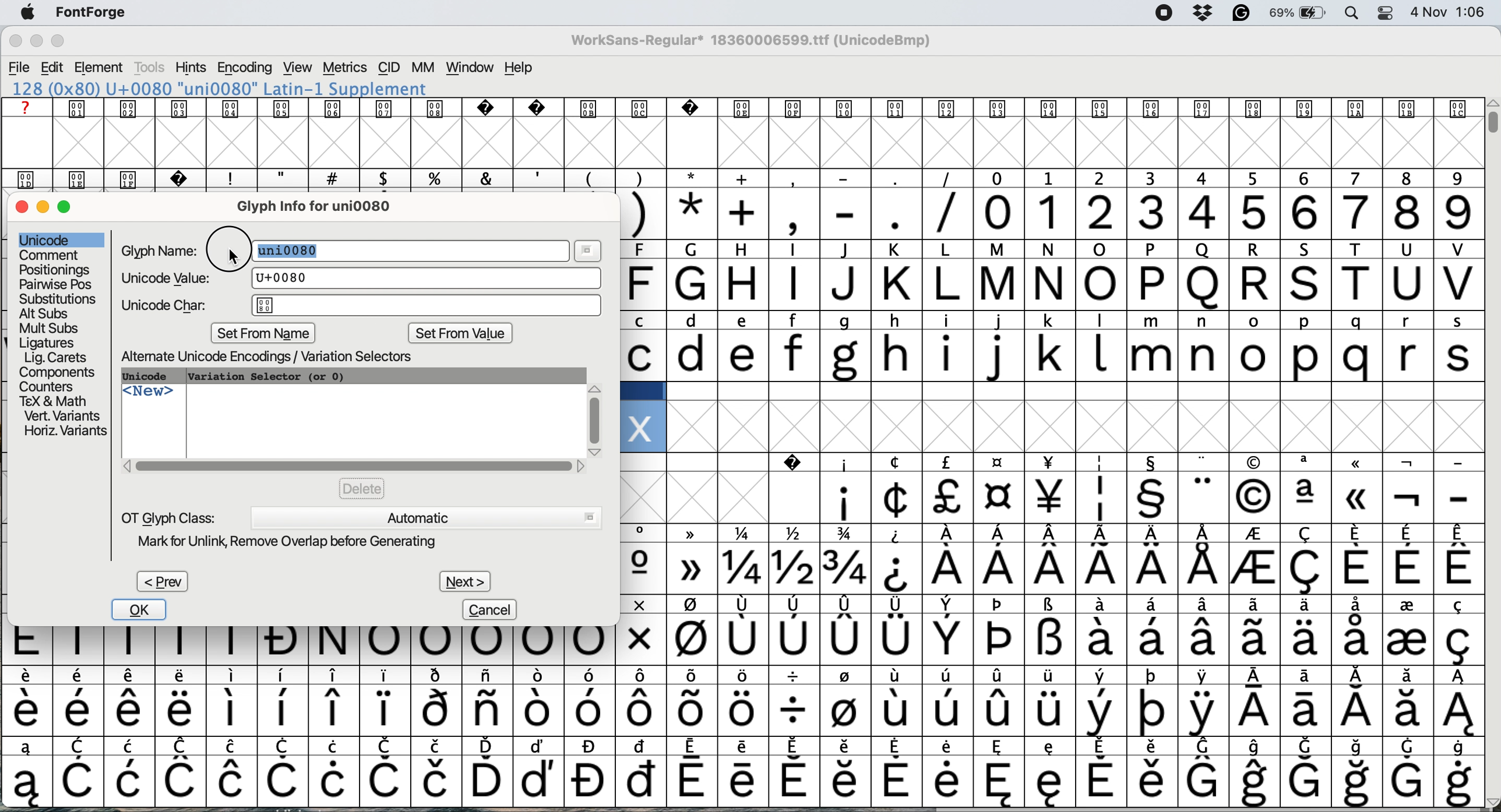  Describe the element at coordinates (1038, 252) in the screenshot. I see `special characters and text` at that location.